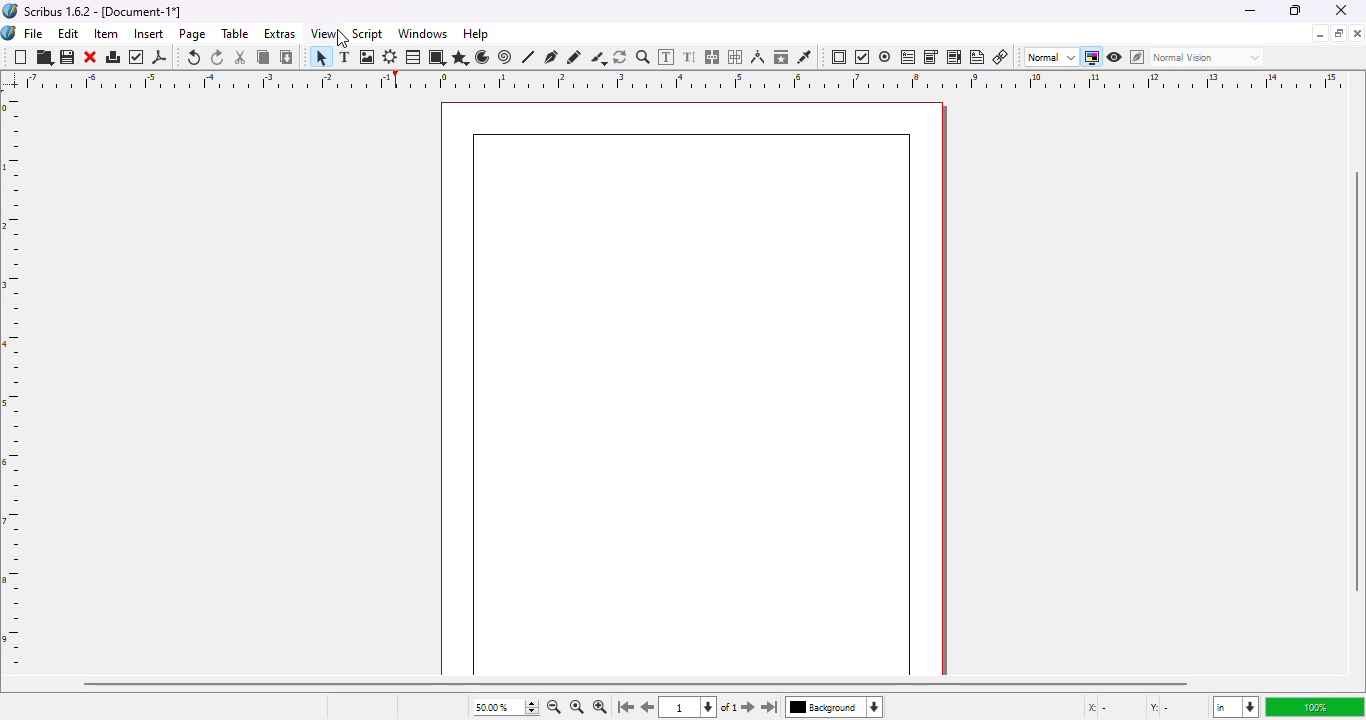 The image size is (1366, 720). Describe the element at coordinates (414, 57) in the screenshot. I see `table` at that location.